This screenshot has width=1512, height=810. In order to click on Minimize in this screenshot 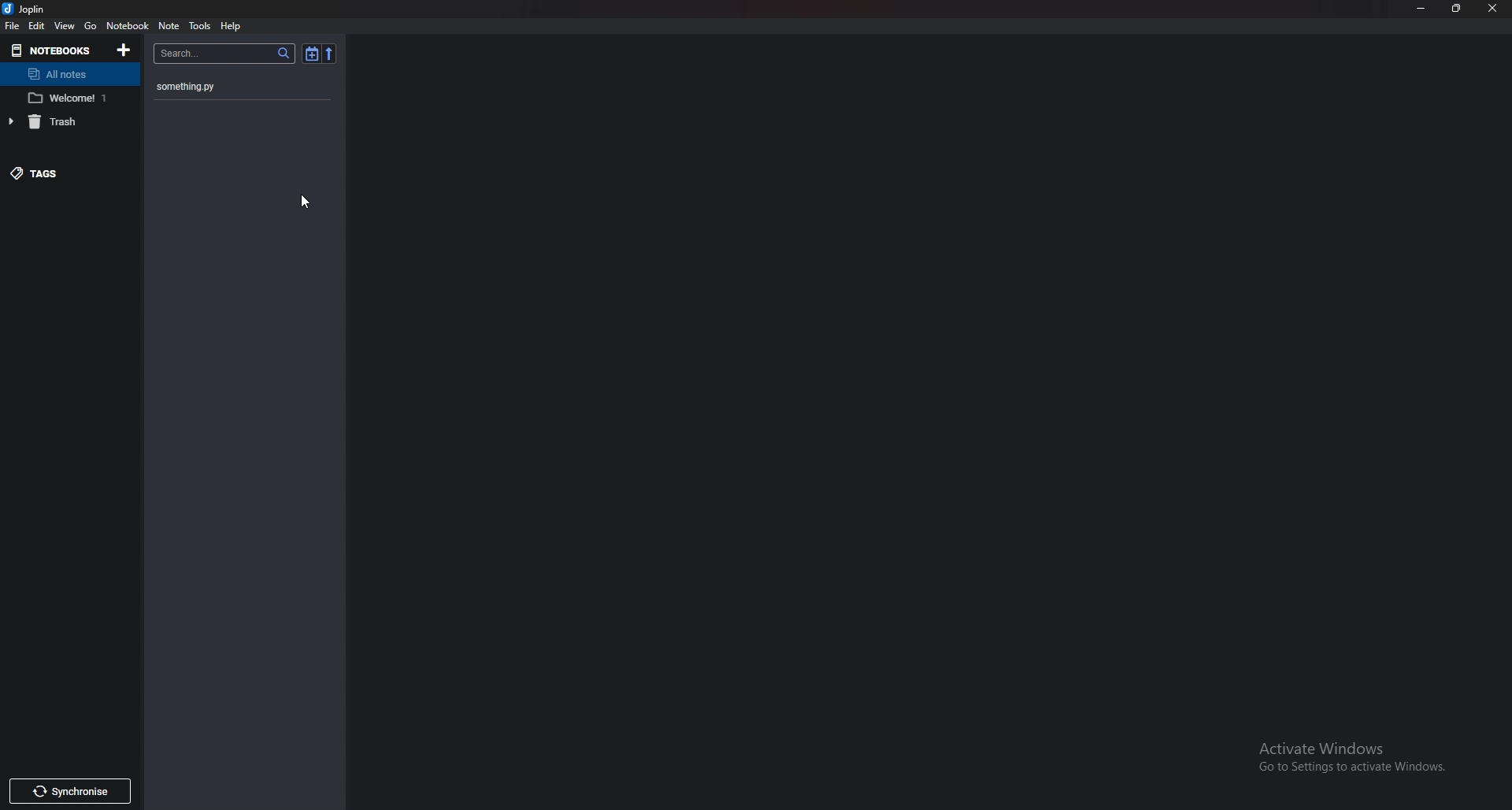, I will do `click(1421, 9)`.